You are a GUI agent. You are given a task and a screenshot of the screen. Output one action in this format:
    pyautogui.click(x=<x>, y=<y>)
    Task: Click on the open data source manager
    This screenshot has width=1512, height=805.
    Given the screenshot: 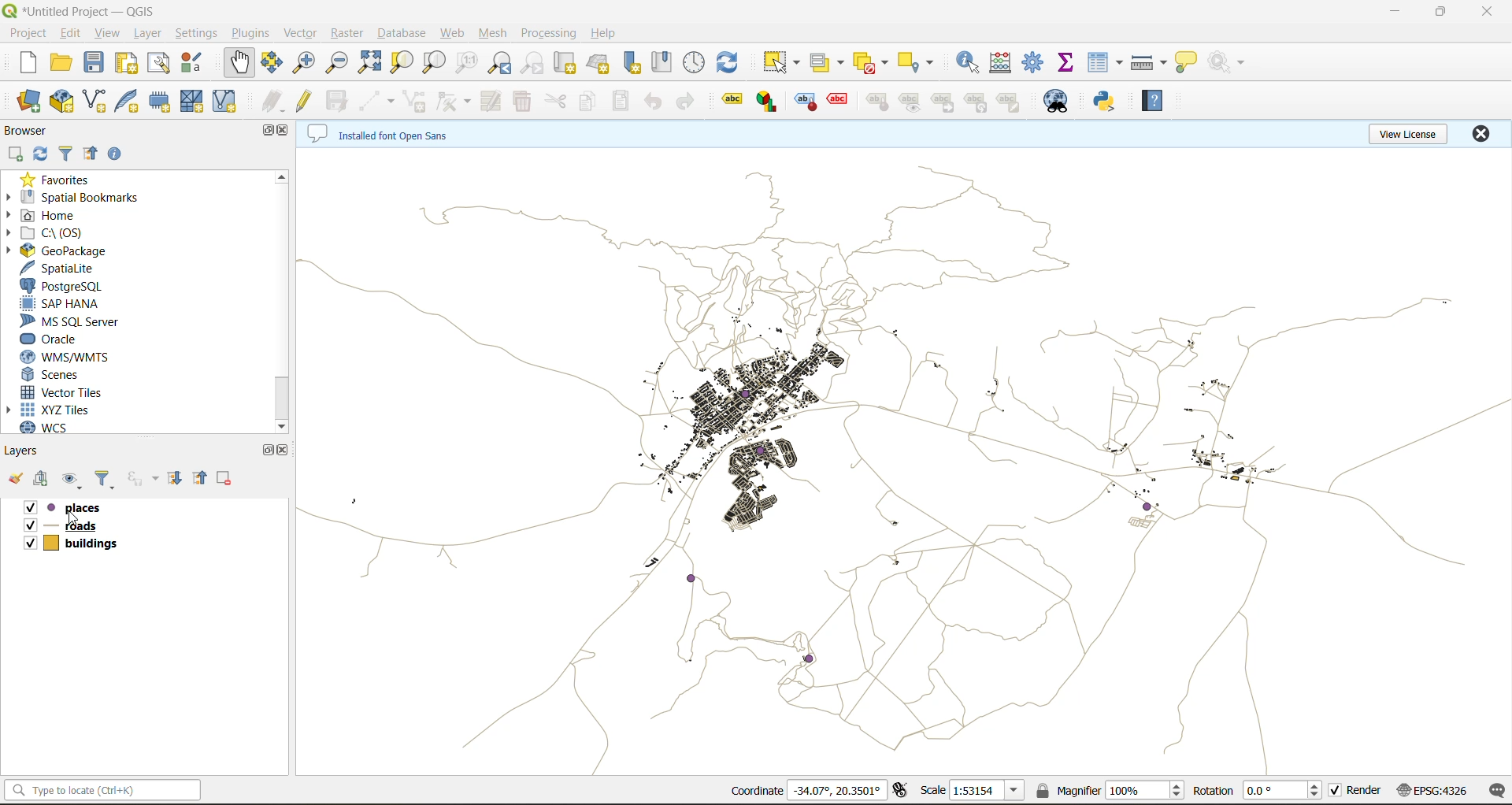 What is the action you would take?
    pyautogui.click(x=28, y=104)
    